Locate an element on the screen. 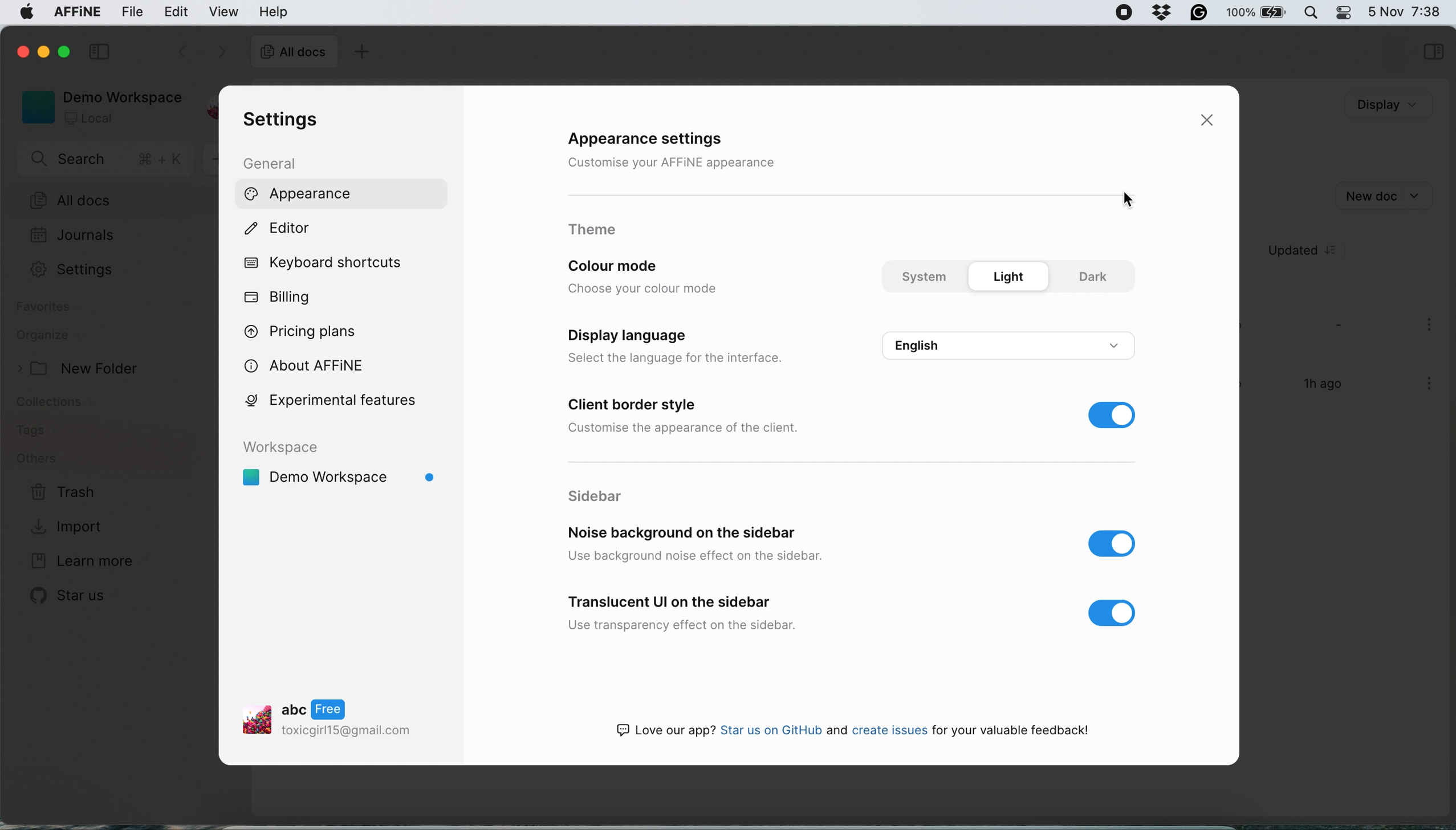  choose your colour mode is located at coordinates (641, 290).